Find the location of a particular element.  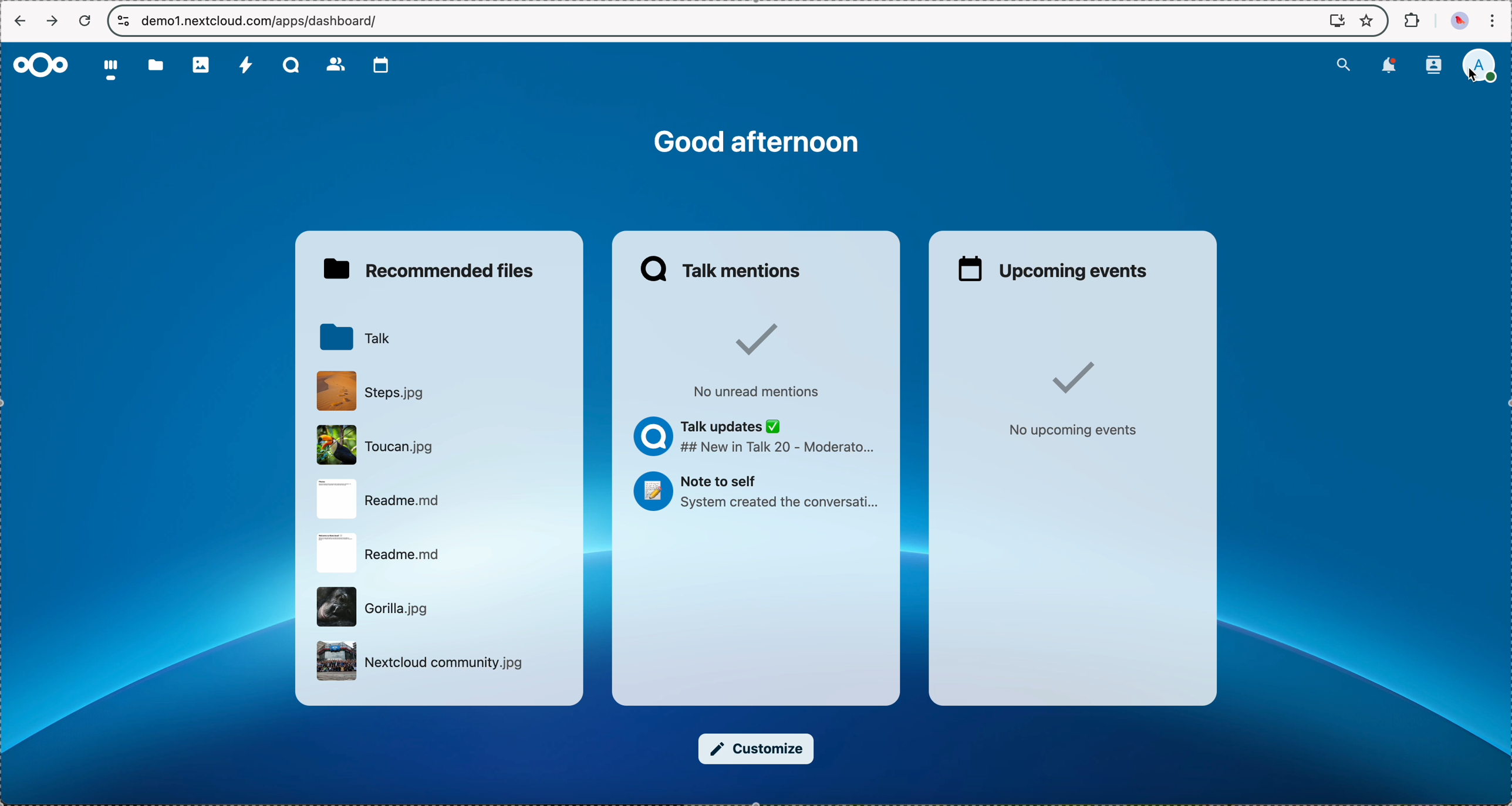

activity is located at coordinates (244, 66).